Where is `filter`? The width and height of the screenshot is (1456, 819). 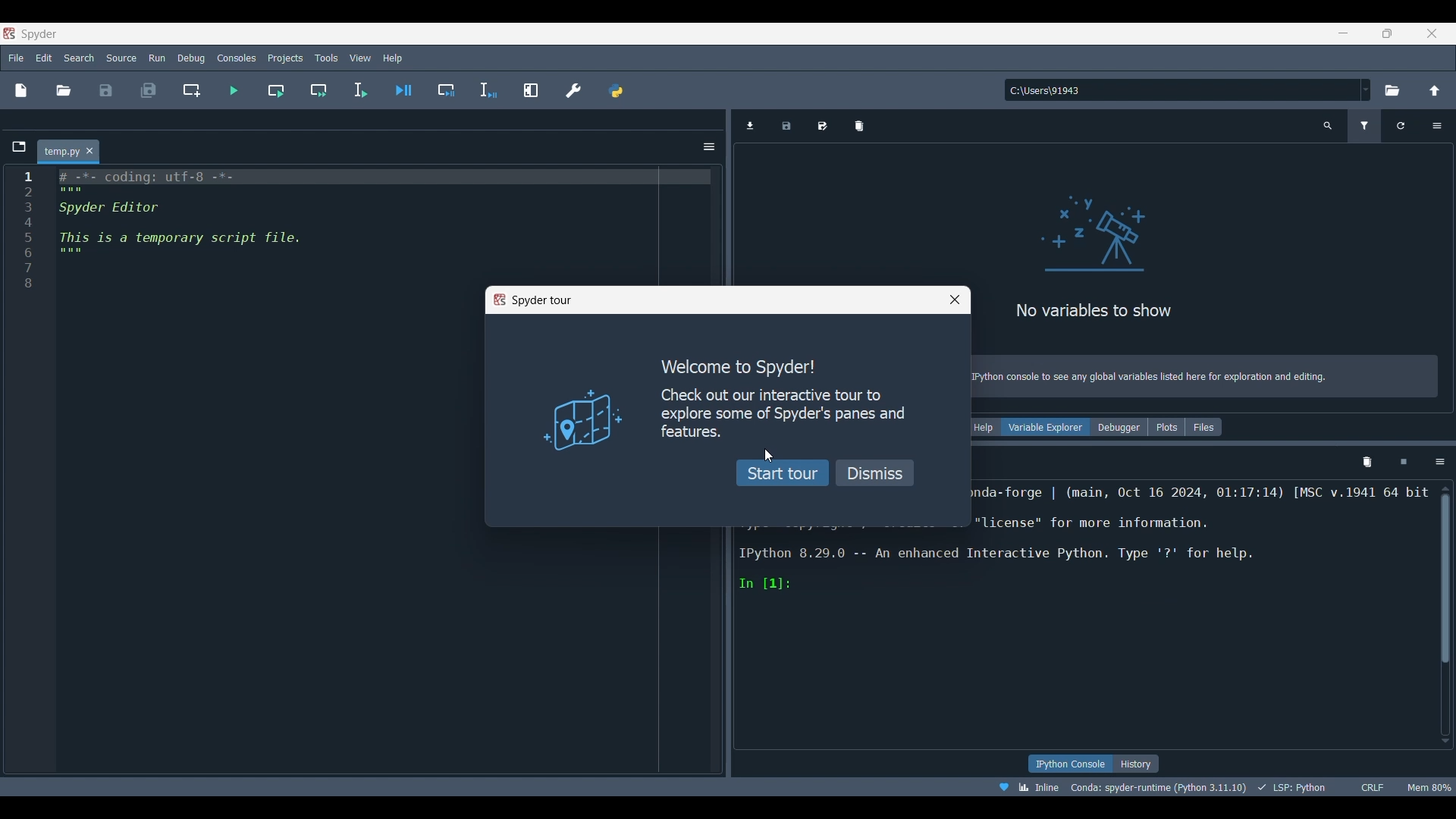
filter is located at coordinates (1368, 127).